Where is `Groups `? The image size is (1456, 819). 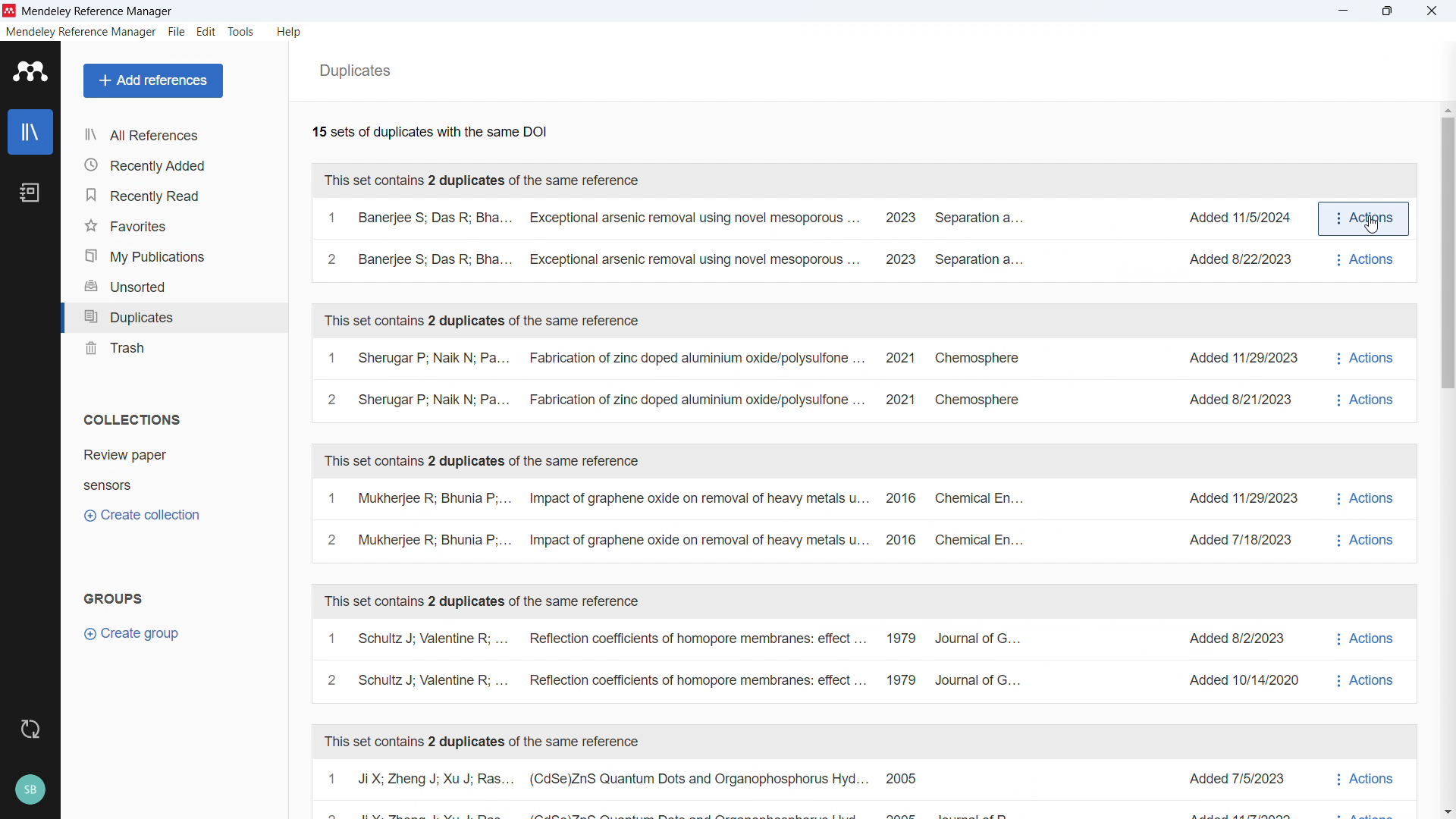 Groups  is located at coordinates (115, 600).